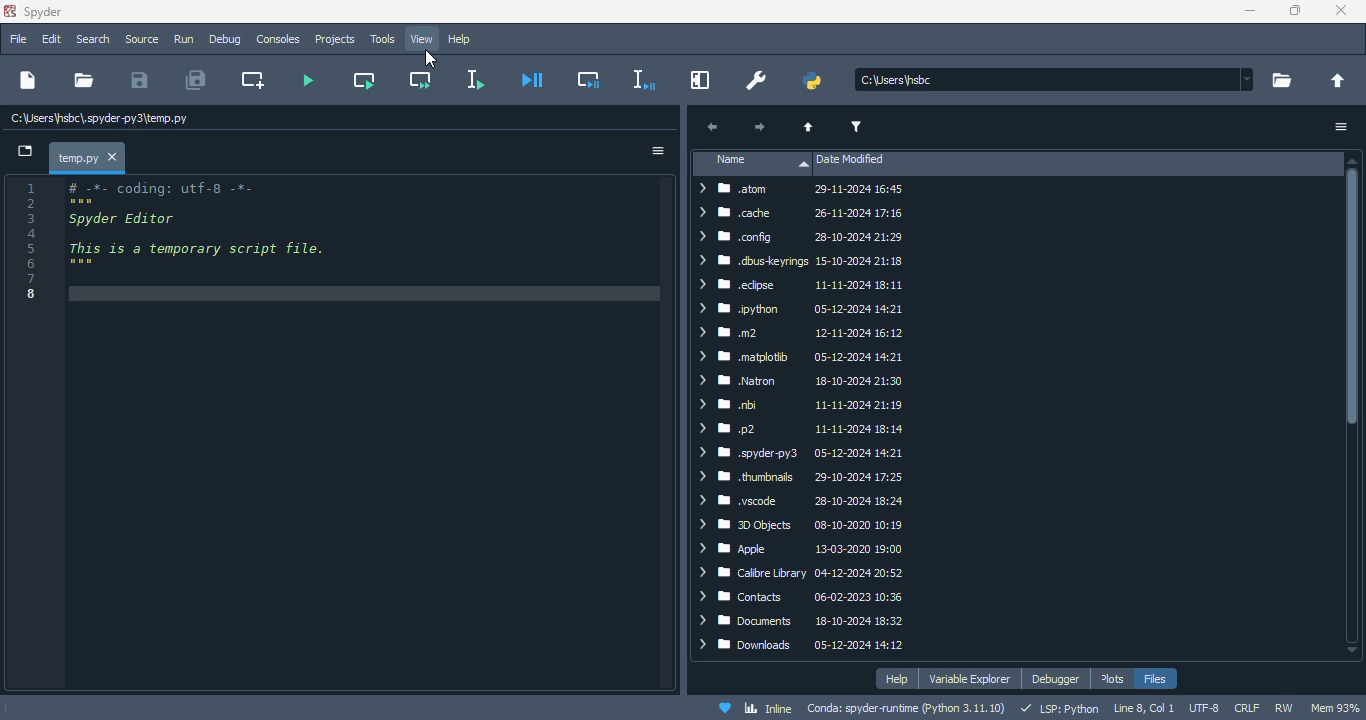 The image size is (1366, 720). I want to click on .config, so click(804, 238).